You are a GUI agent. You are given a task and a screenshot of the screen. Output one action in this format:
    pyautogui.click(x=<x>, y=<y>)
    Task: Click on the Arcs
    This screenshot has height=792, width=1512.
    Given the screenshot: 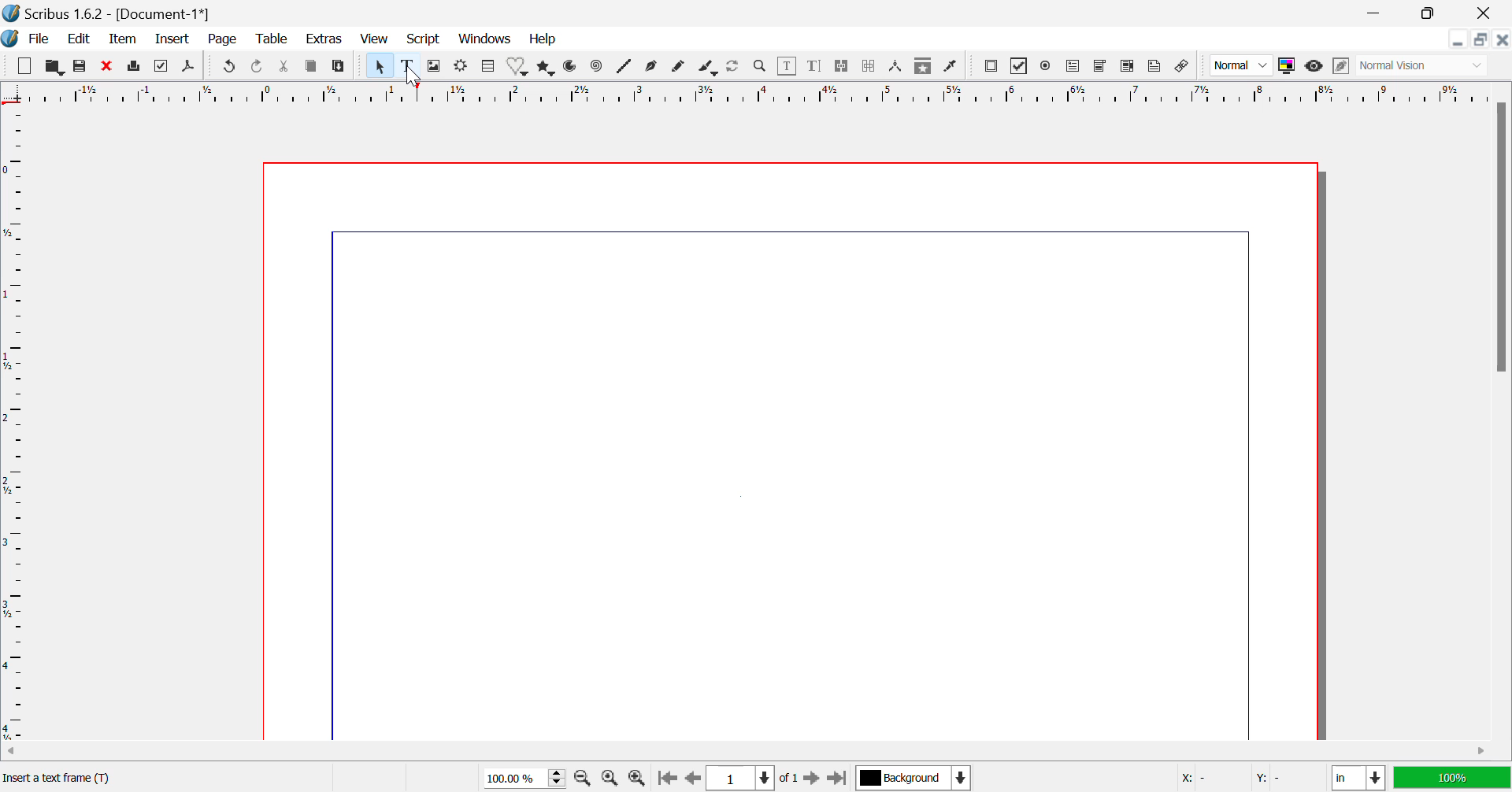 What is the action you would take?
    pyautogui.click(x=573, y=68)
    